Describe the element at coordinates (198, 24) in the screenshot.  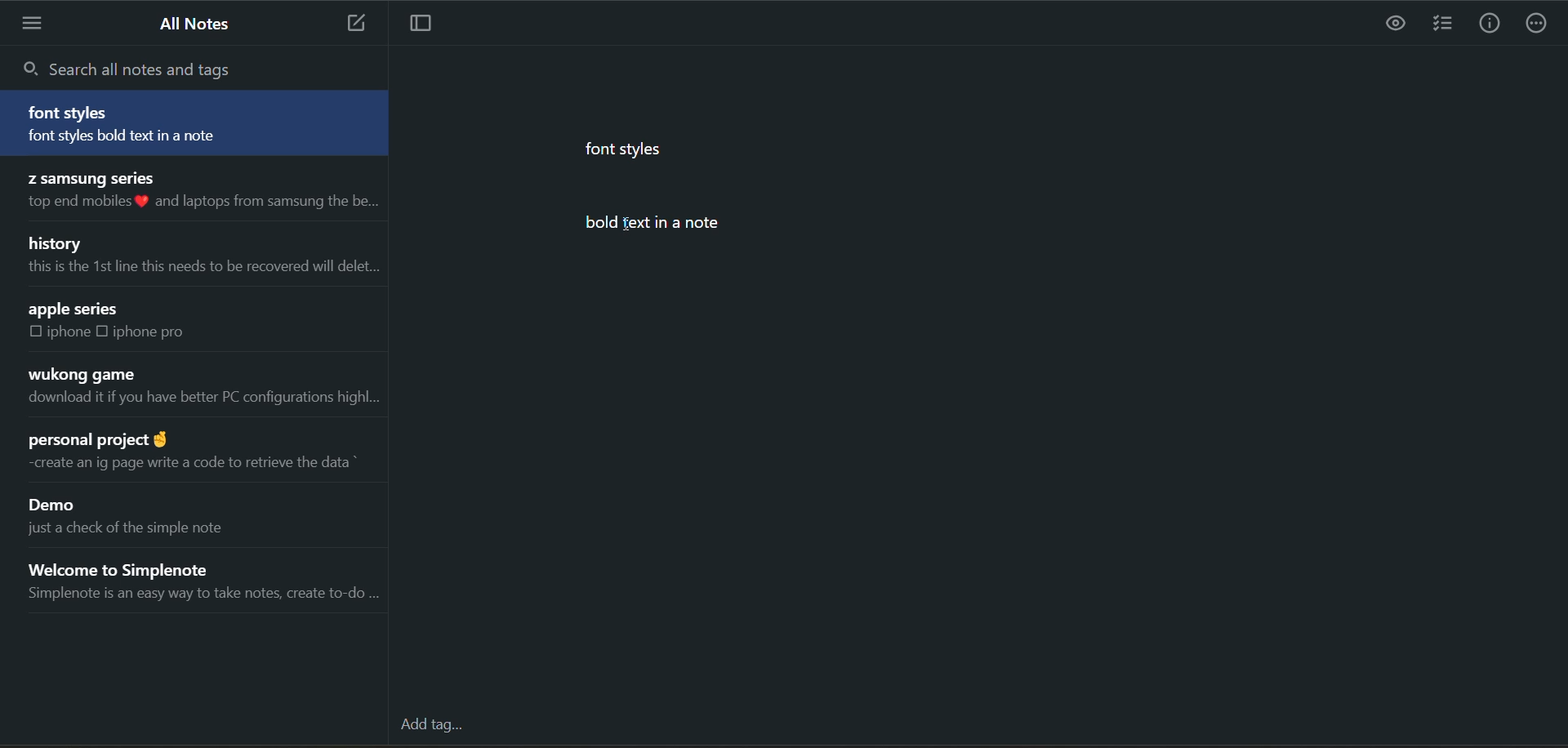
I see `all notes` at that location.